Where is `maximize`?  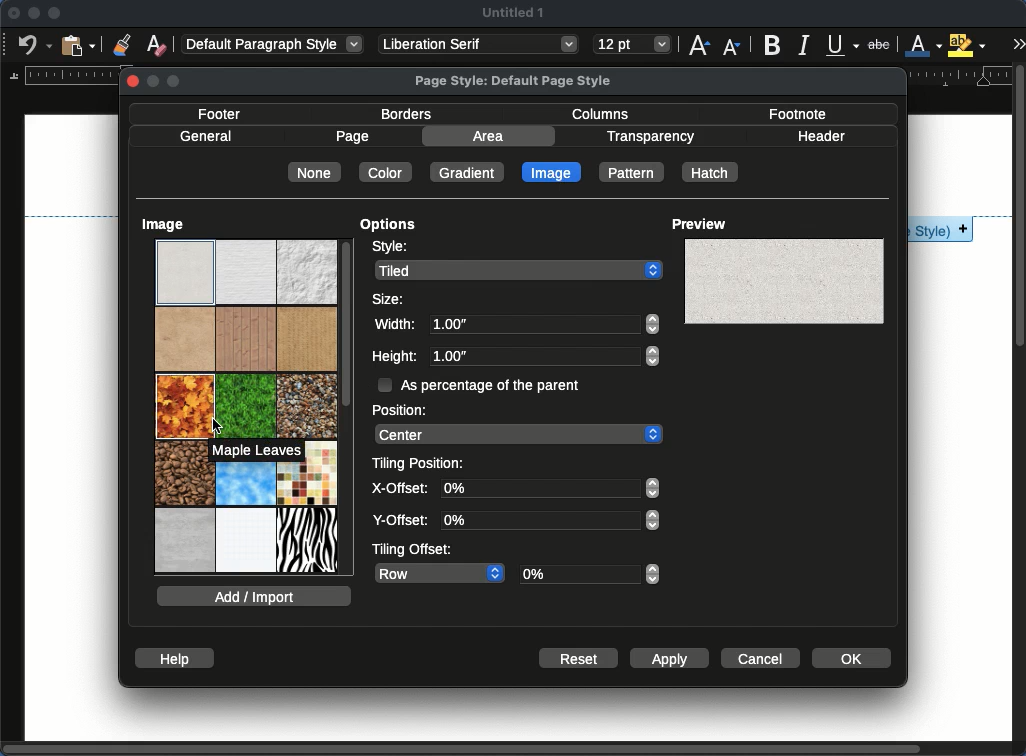 maximize is located at coordinates (55, 13).